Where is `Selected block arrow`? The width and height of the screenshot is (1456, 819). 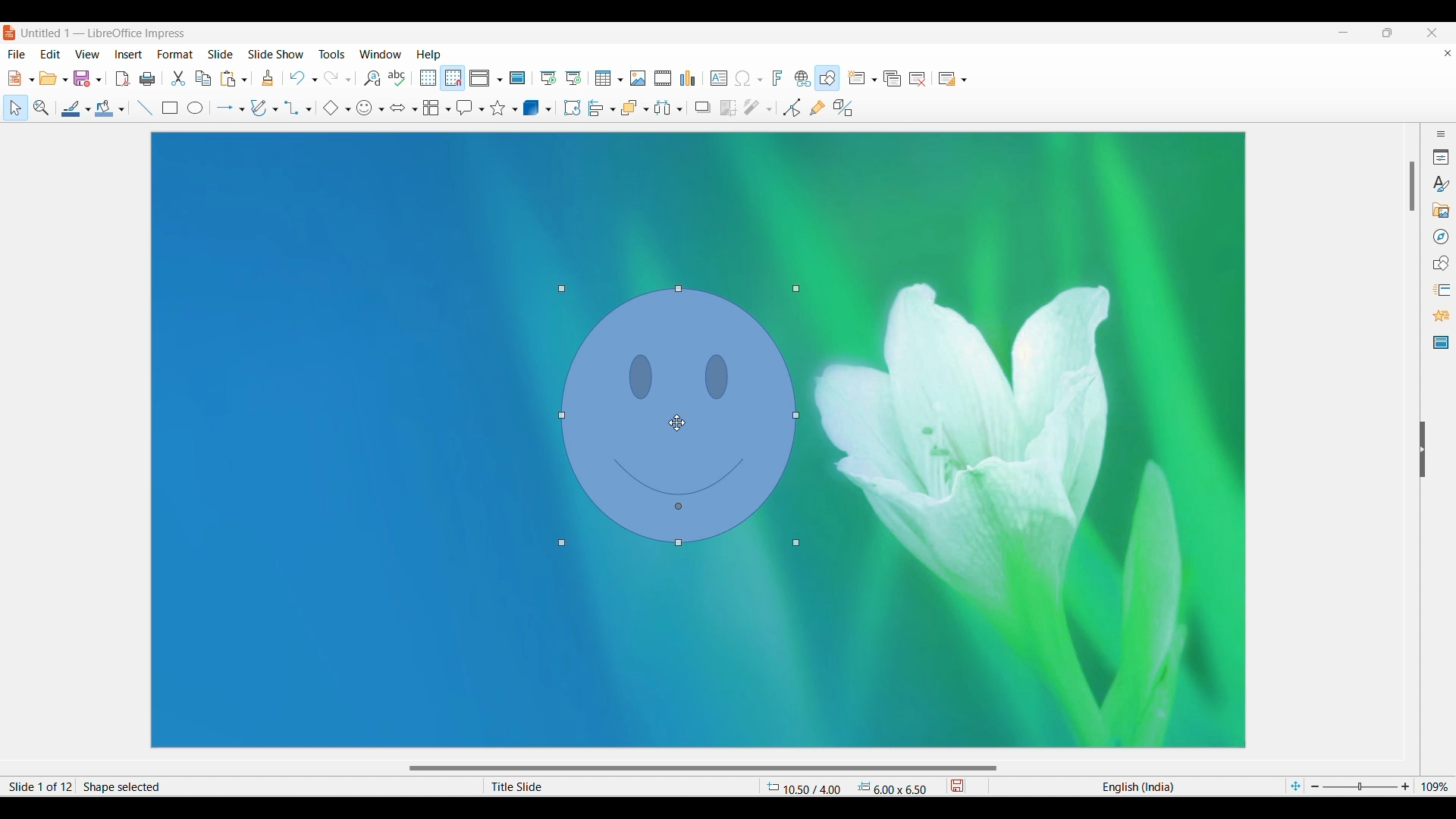 Selected block arrow is located at coordinates (398, 107).